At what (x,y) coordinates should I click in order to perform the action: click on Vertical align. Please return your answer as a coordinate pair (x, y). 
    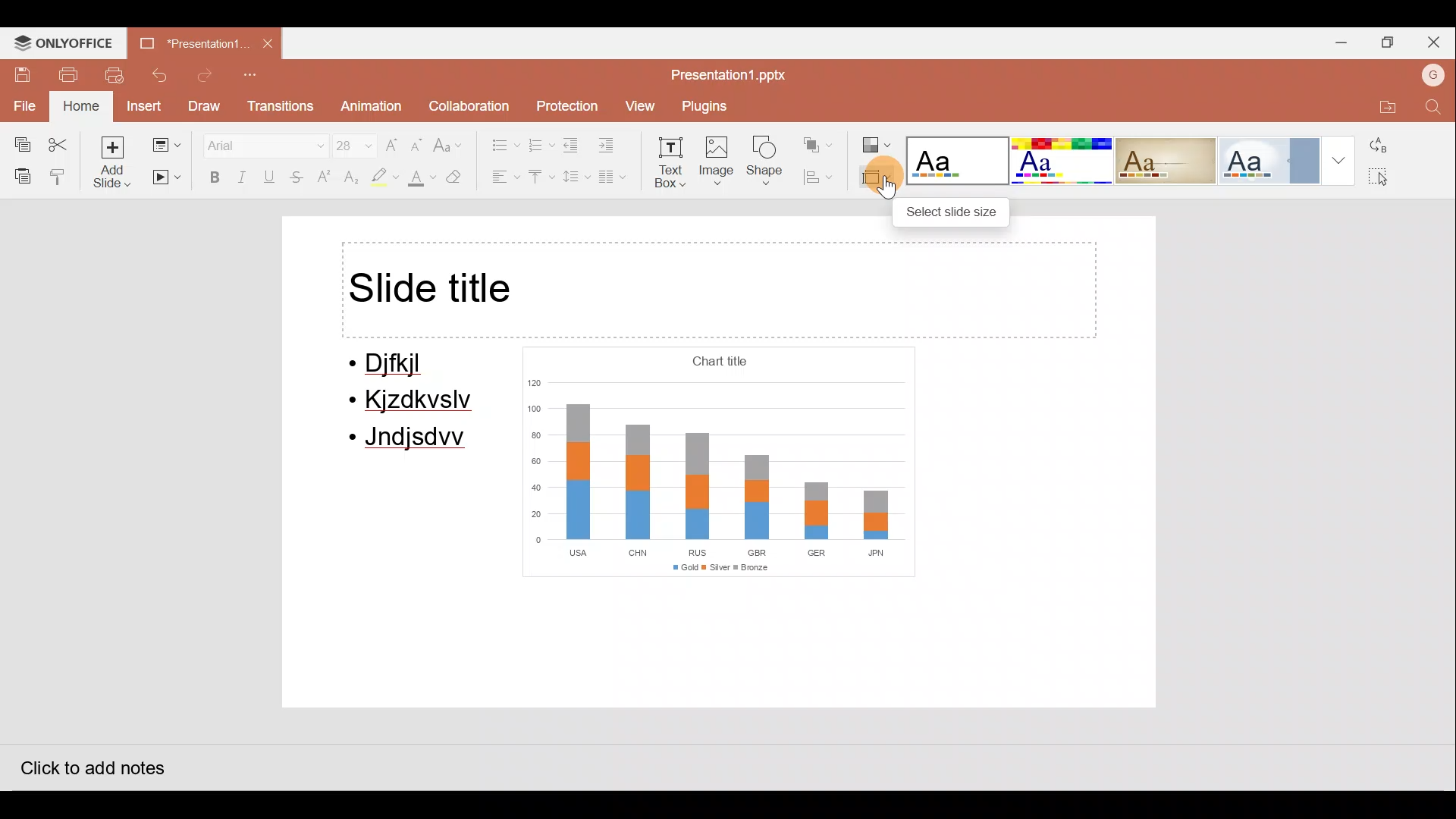
    Looking at the image, I should click on (540, 178).